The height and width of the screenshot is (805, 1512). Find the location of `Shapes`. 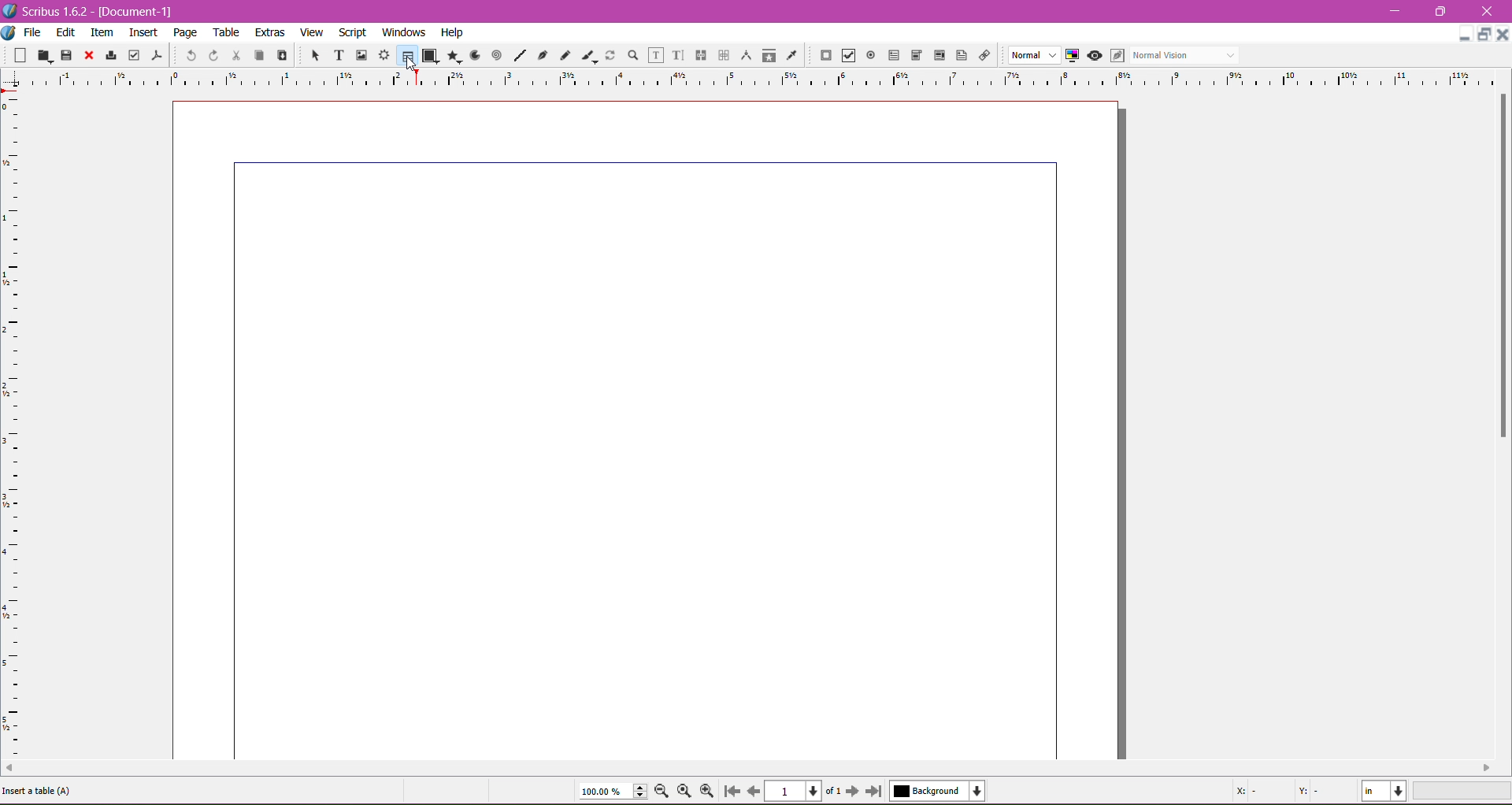

Shapes is located at coordinates (429, 55).